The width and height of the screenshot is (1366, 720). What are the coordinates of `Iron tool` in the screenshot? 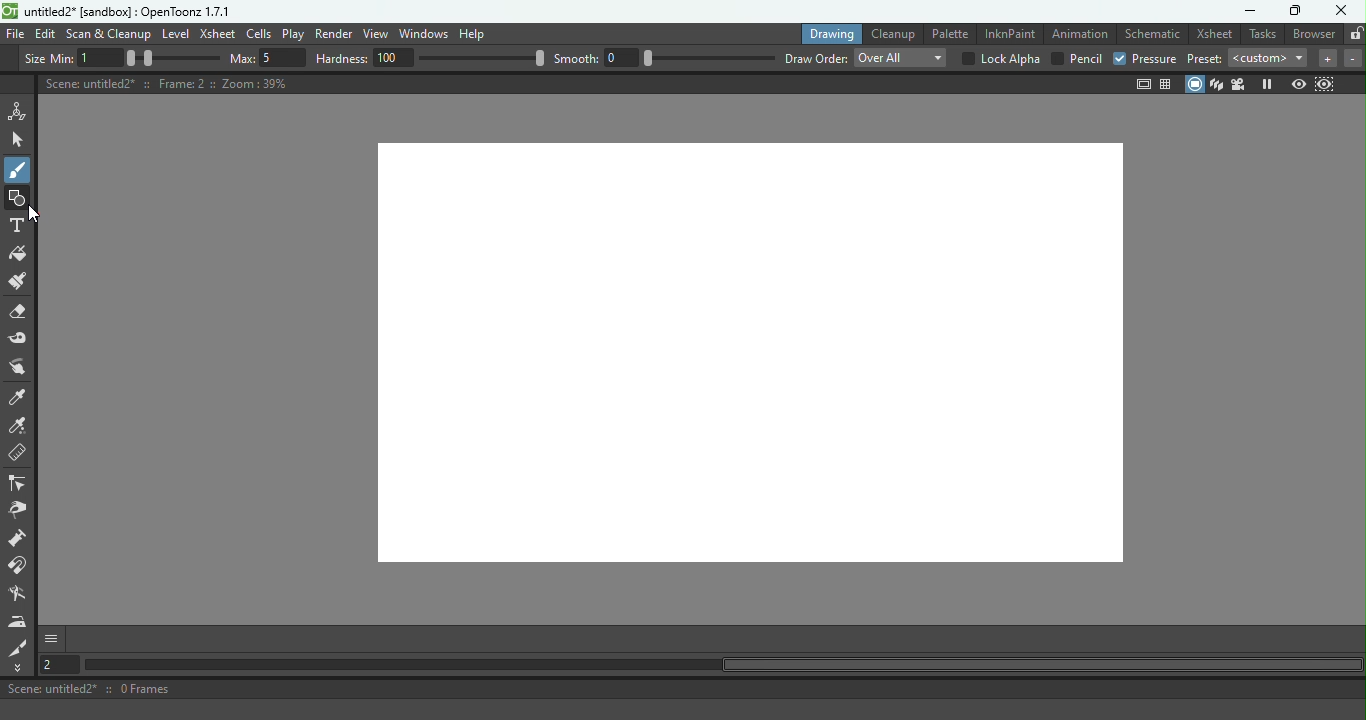 It's located at (18, 622).